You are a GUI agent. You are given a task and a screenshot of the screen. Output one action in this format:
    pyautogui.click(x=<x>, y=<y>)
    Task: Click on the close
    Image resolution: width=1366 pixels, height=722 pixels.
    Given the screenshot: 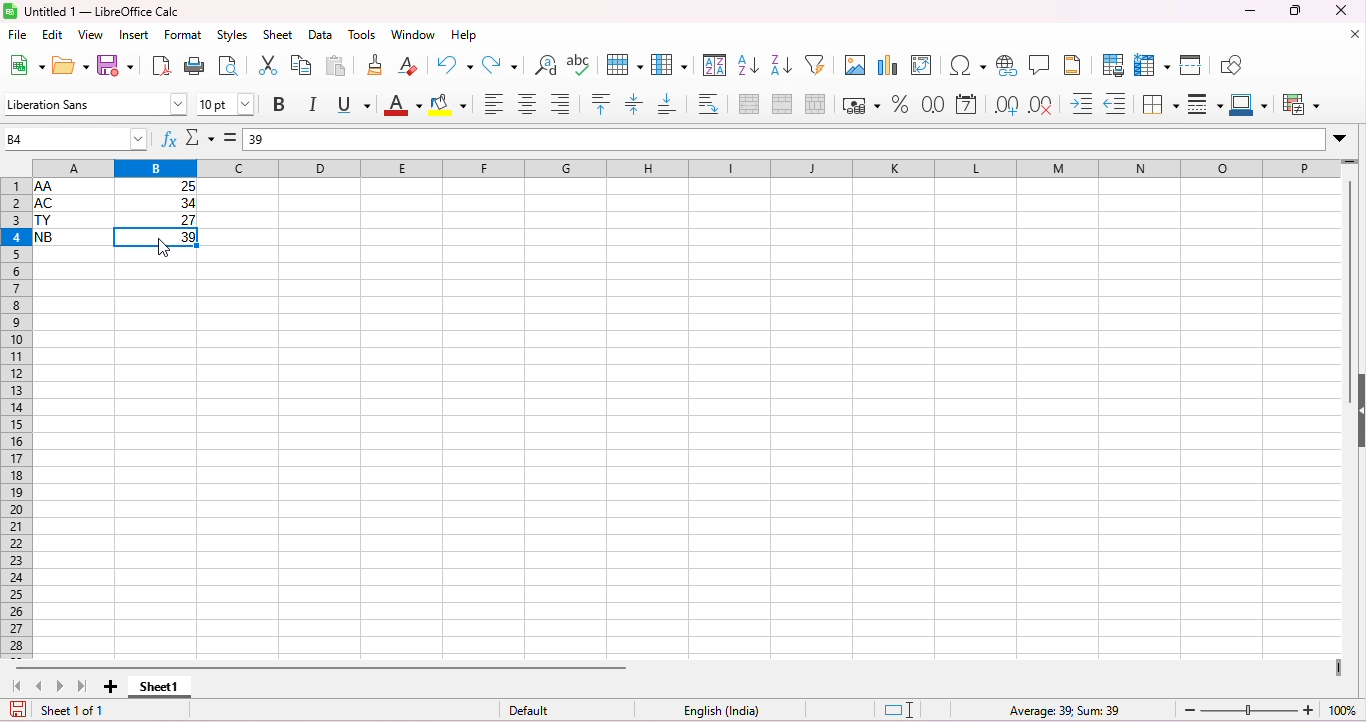 What is the action you would take?
    pyautogui.click(x=1341, y=10)
    